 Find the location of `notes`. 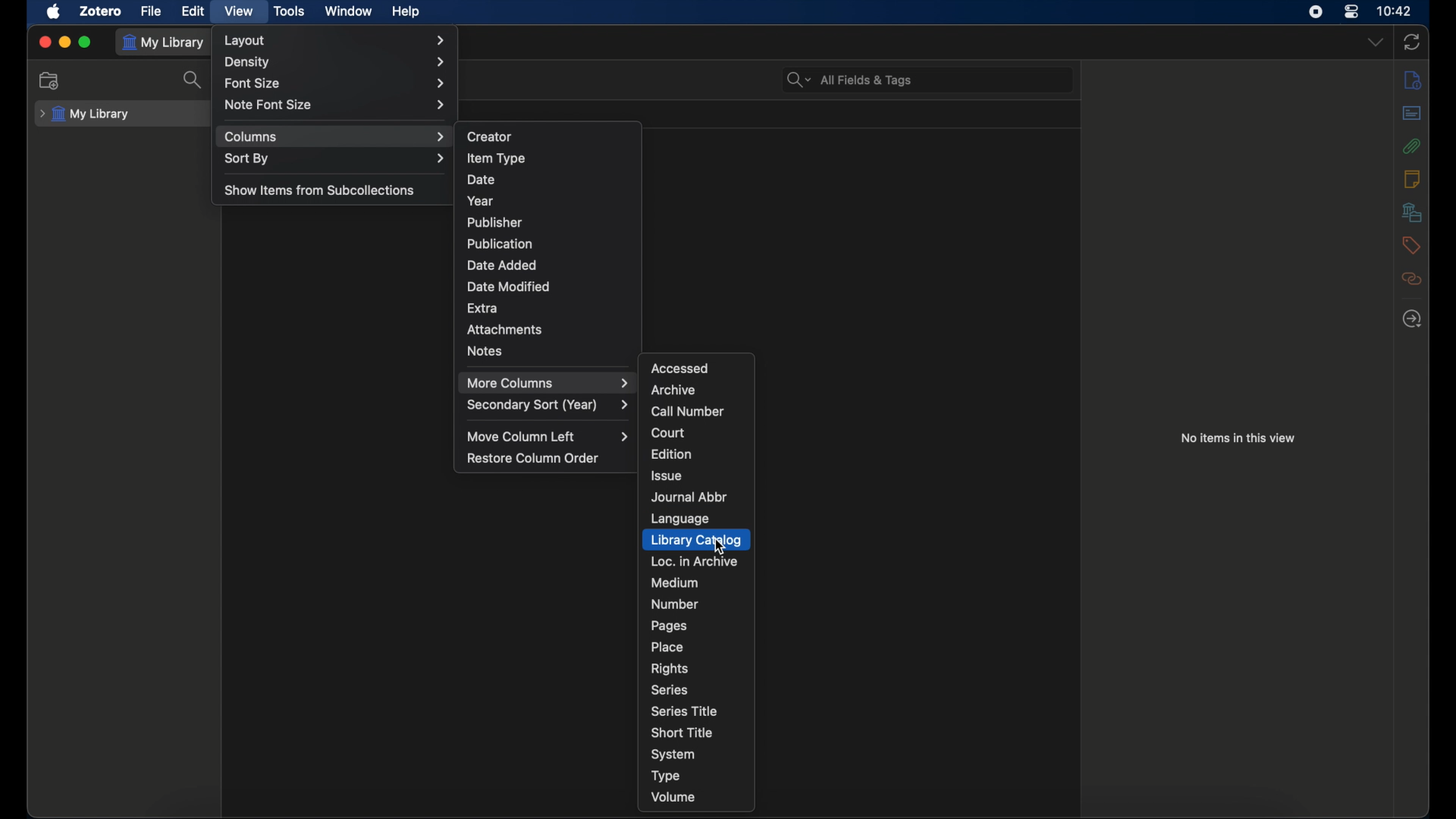

notes is located at coordinates (485, 350).